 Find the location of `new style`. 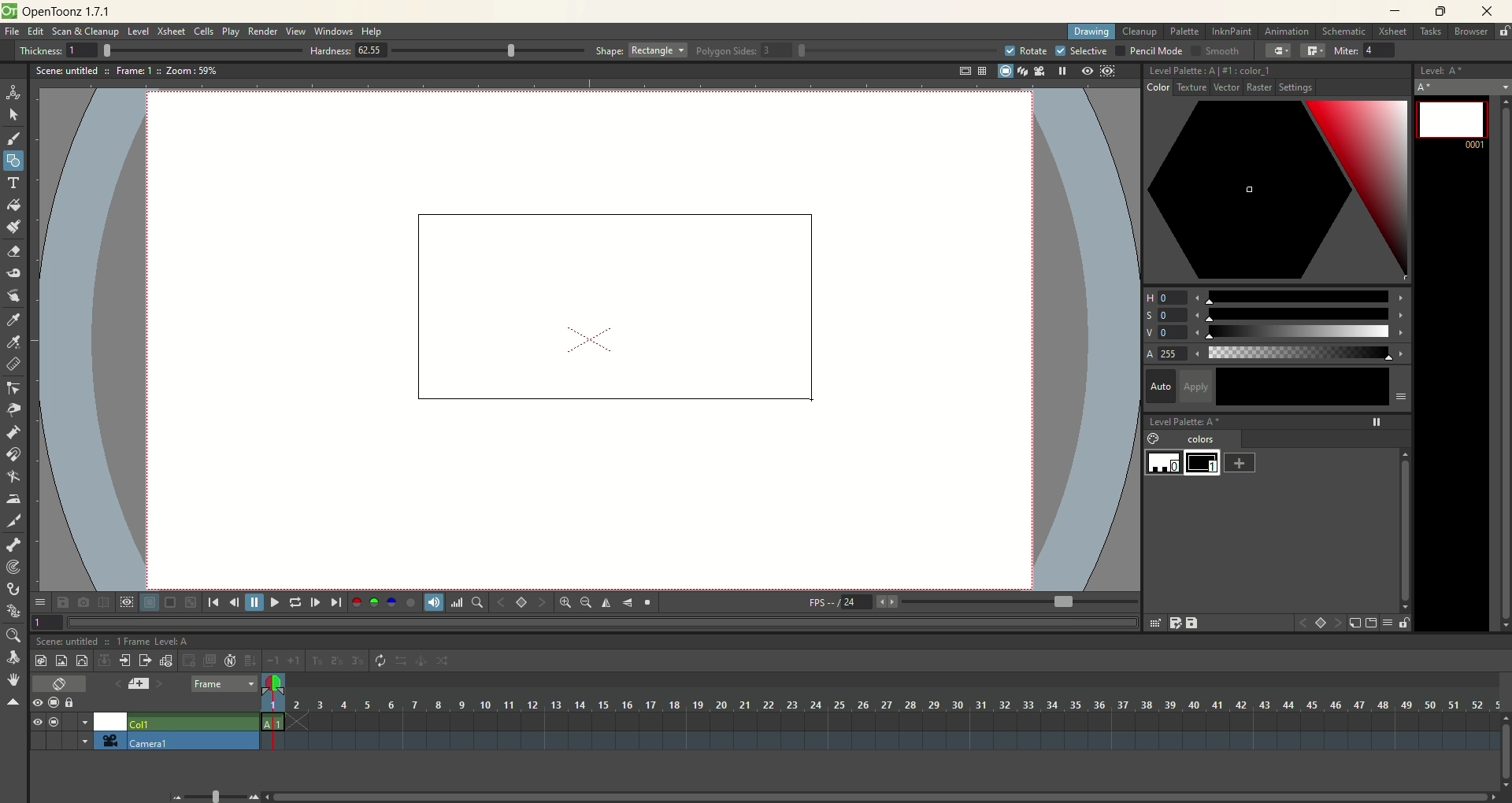

new style is located at coordinates (1354, 624).